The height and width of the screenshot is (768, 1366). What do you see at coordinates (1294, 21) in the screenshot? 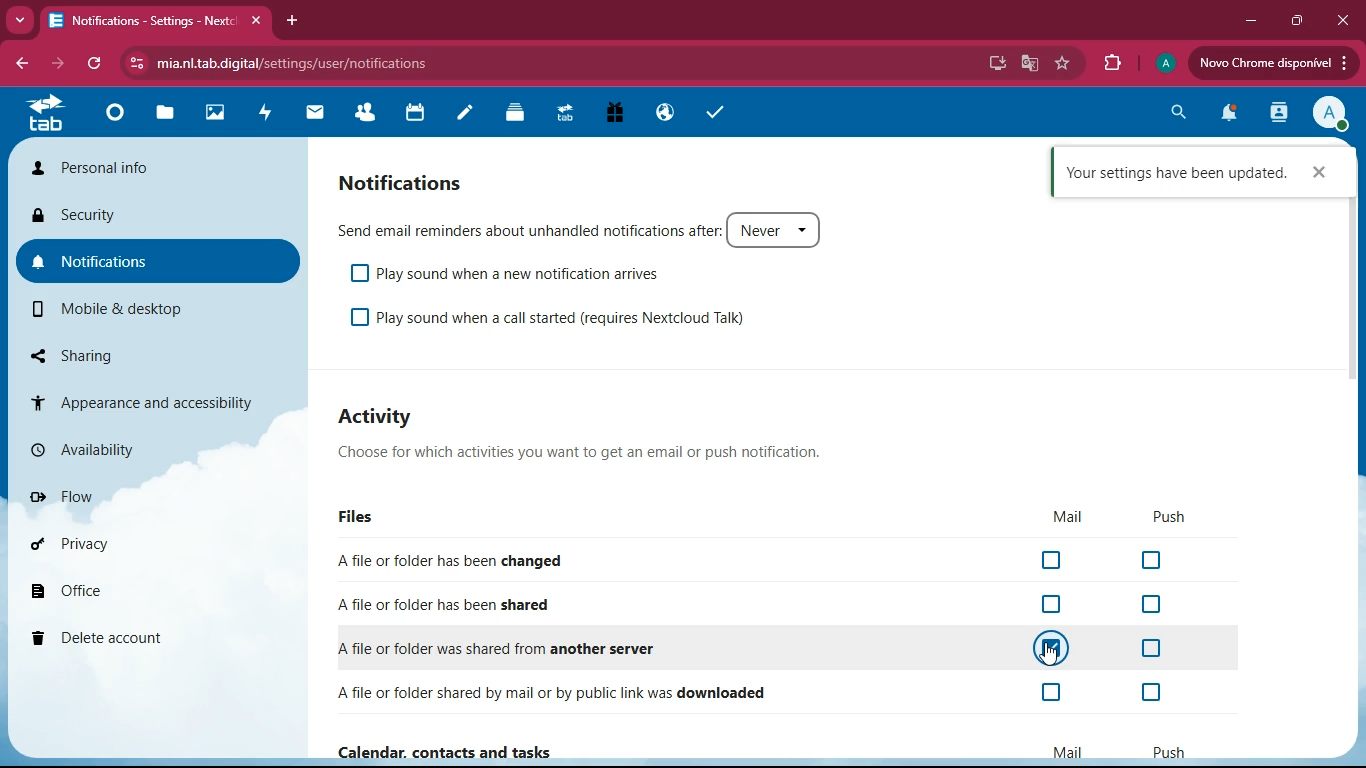
I see `maximize` at bounding box center [1294, 21].